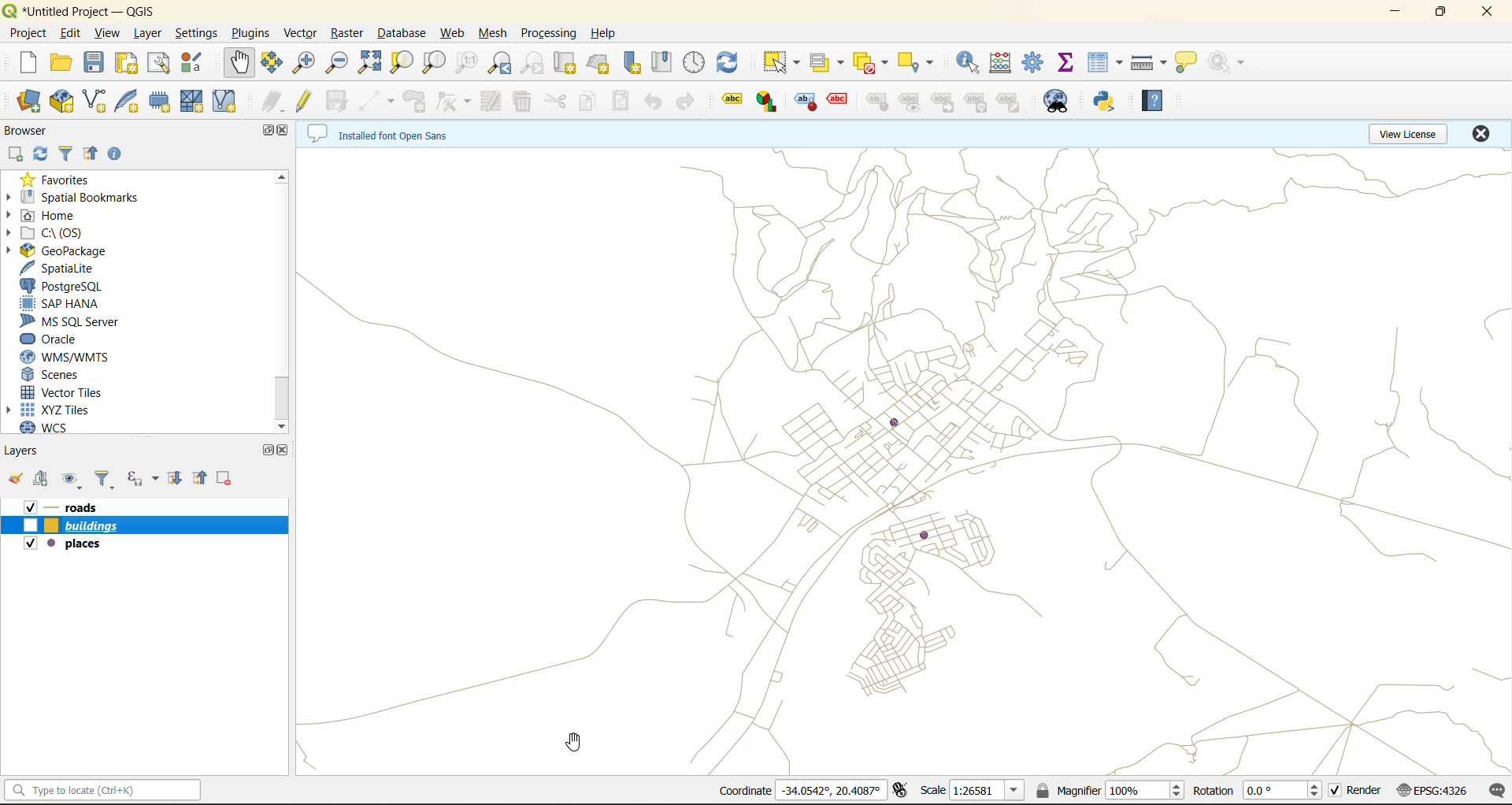  Describe the element at coordinates (1392, 14) in the screenshot. I see `minimize` at that location.